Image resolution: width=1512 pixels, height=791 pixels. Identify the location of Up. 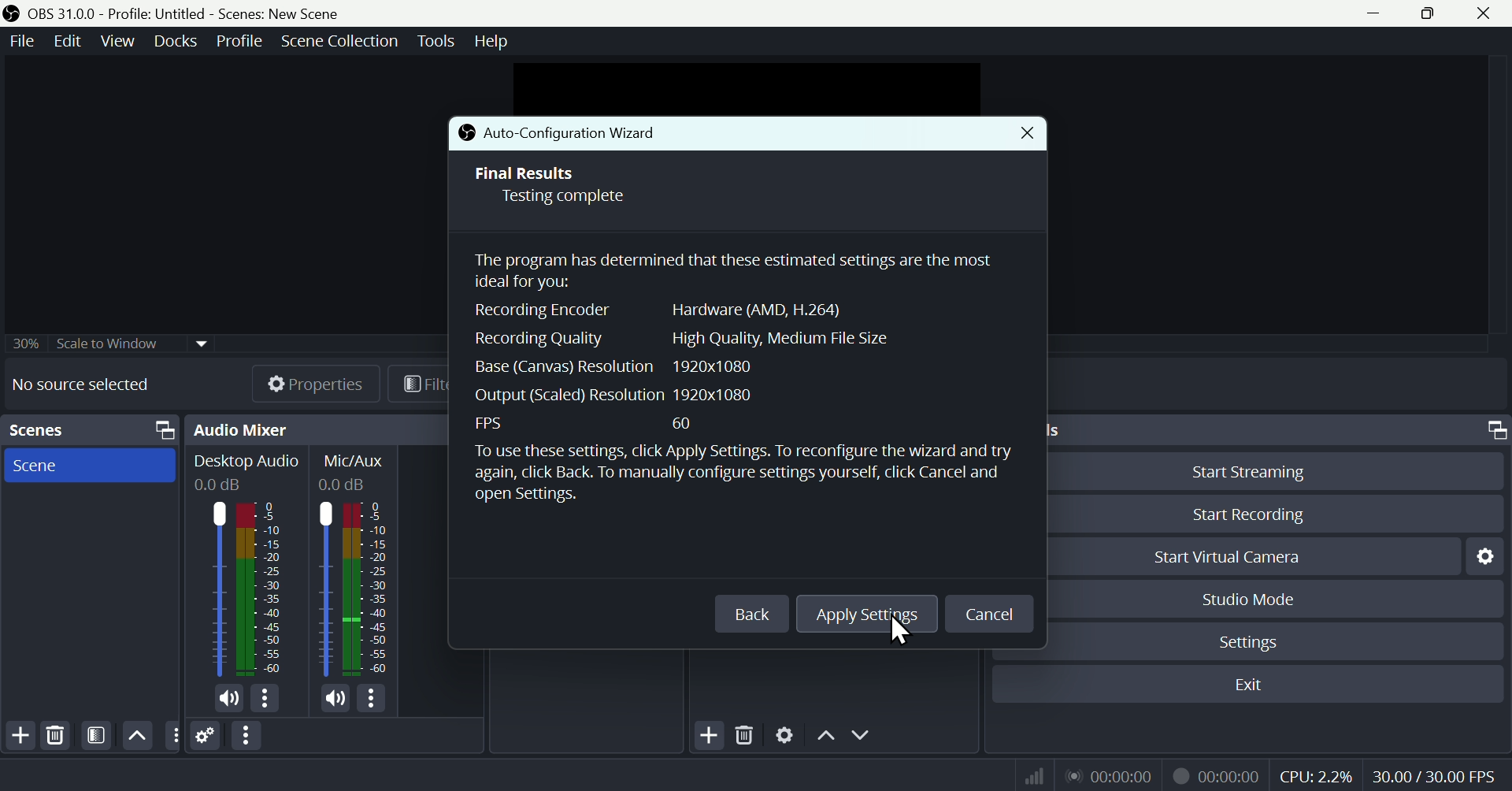
(825, 734).